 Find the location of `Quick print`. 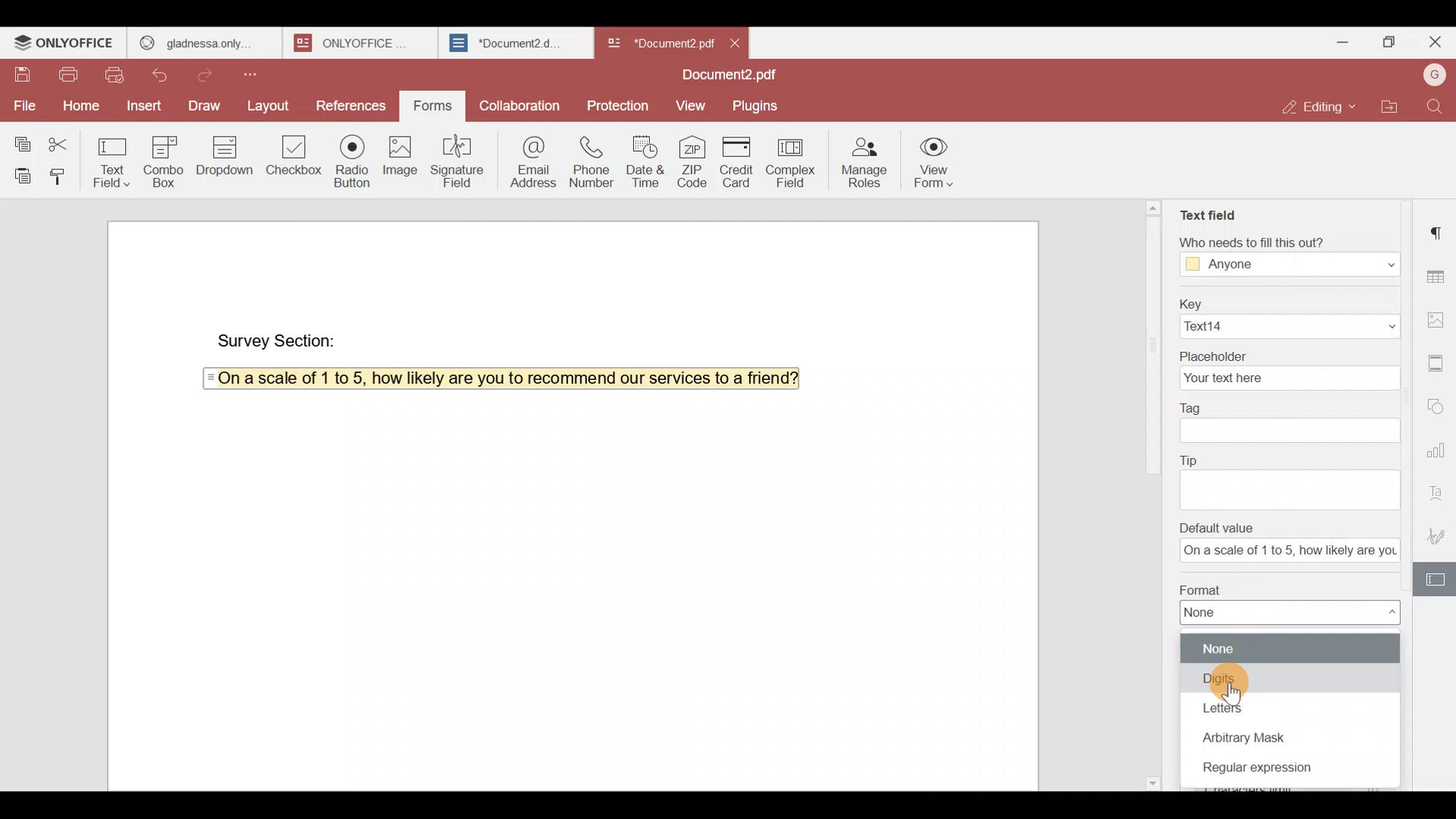

Quick print is located at coordinates (120, 75).